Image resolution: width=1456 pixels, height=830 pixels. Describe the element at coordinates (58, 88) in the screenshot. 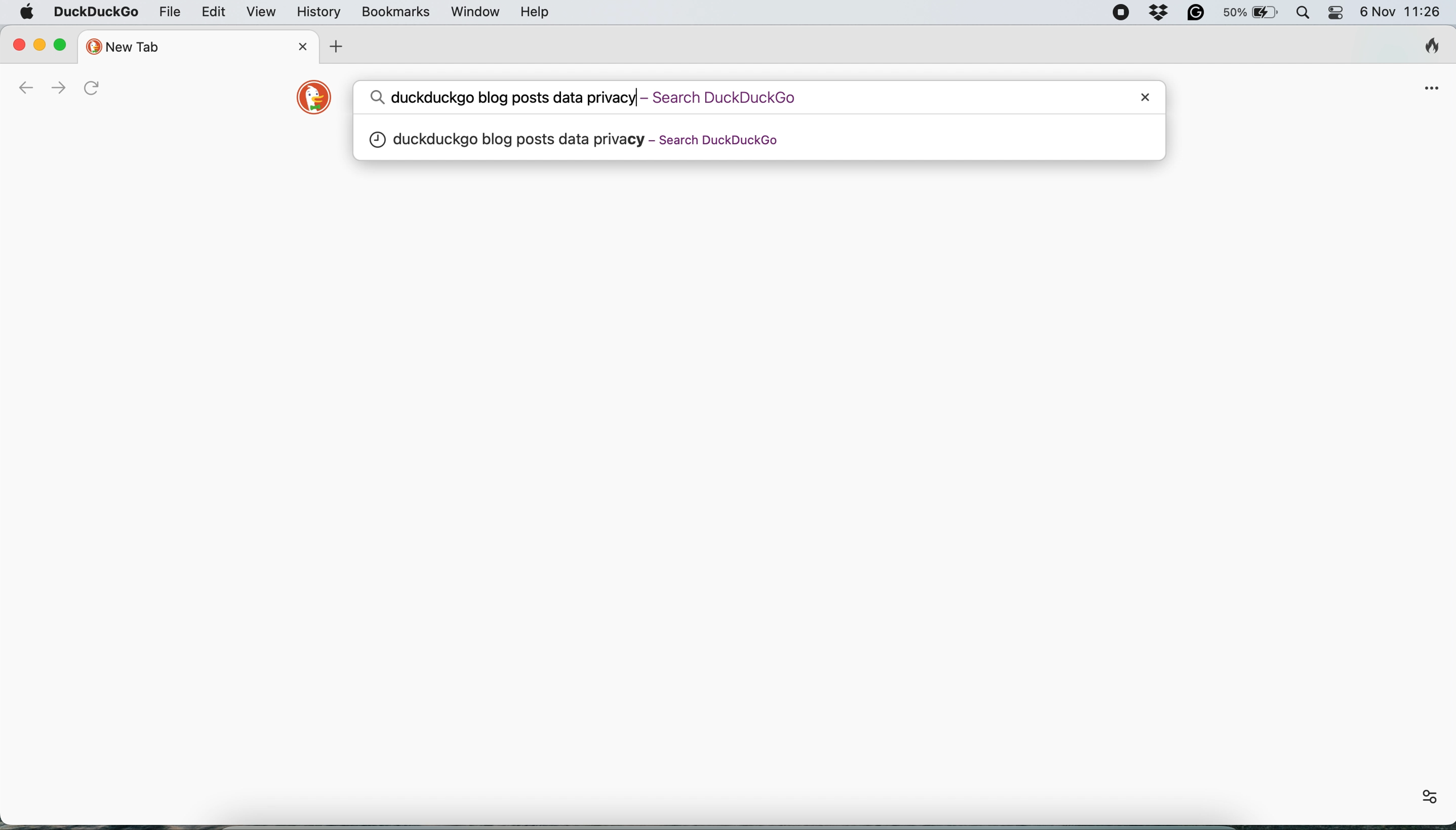

I see `go forward` at that location.